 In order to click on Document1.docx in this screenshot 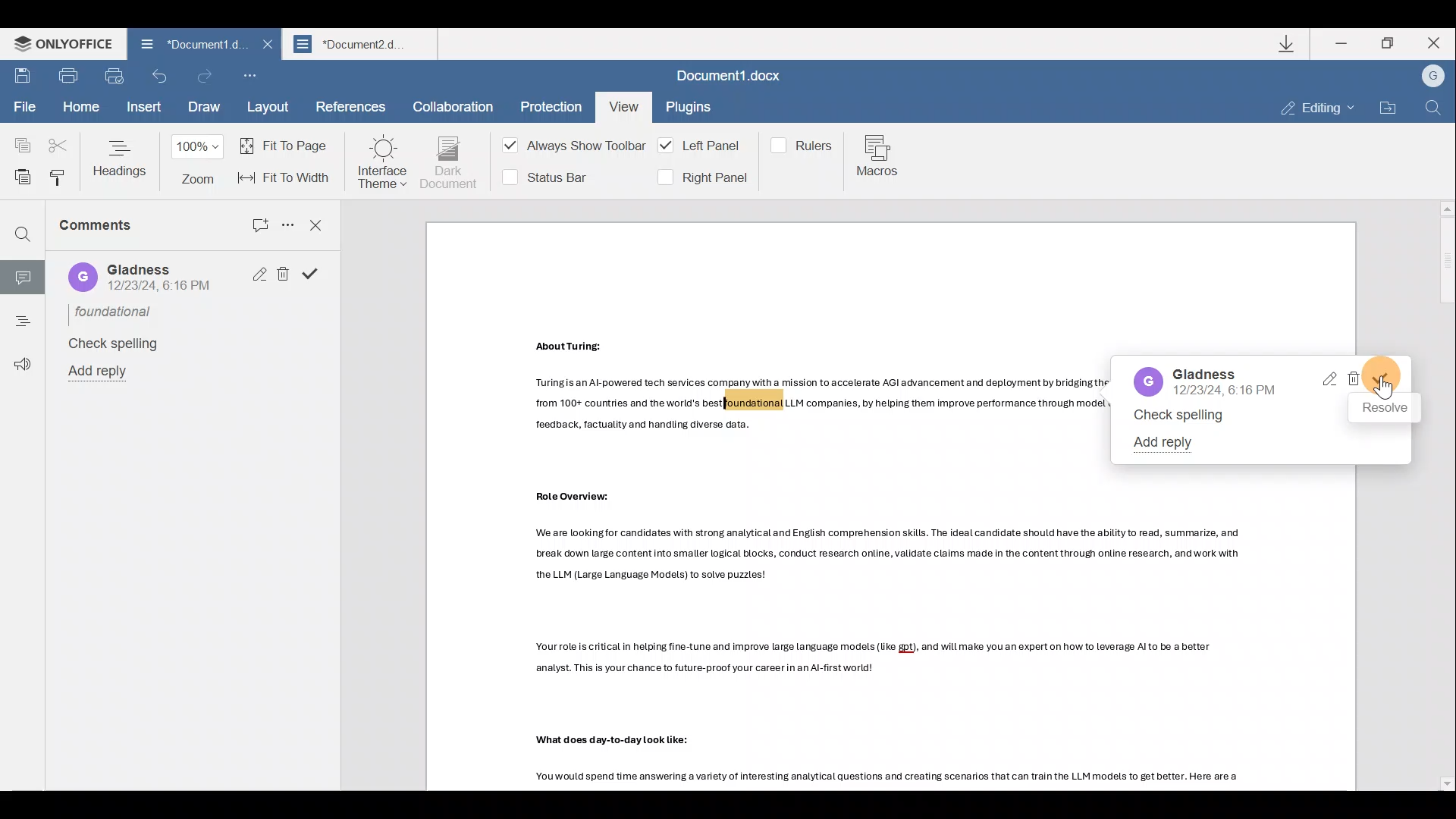, I will do `click(733, 78)`.